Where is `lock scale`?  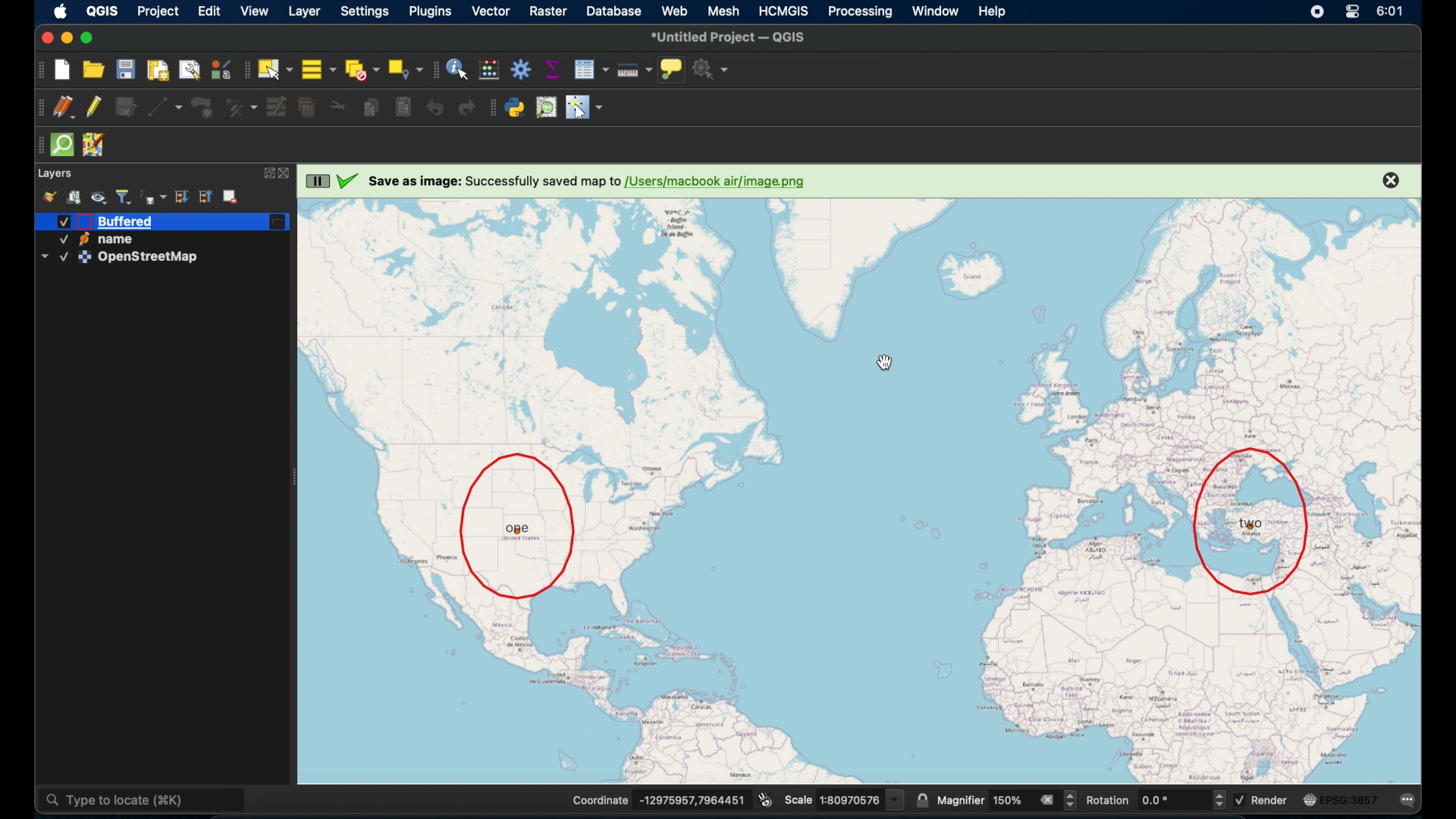
lock scale is located at coordinates (923, 799).